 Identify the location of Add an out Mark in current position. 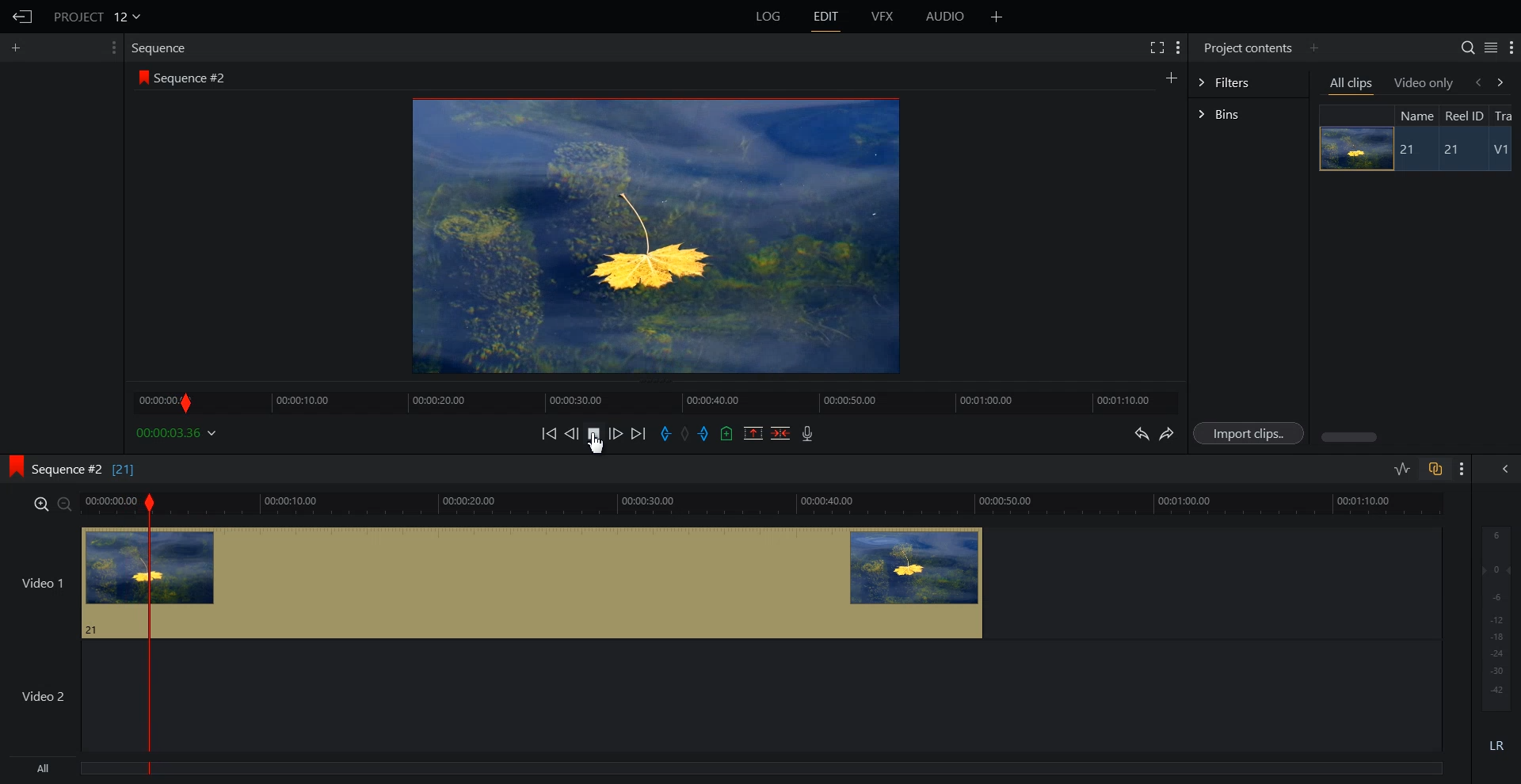
(706, 433).